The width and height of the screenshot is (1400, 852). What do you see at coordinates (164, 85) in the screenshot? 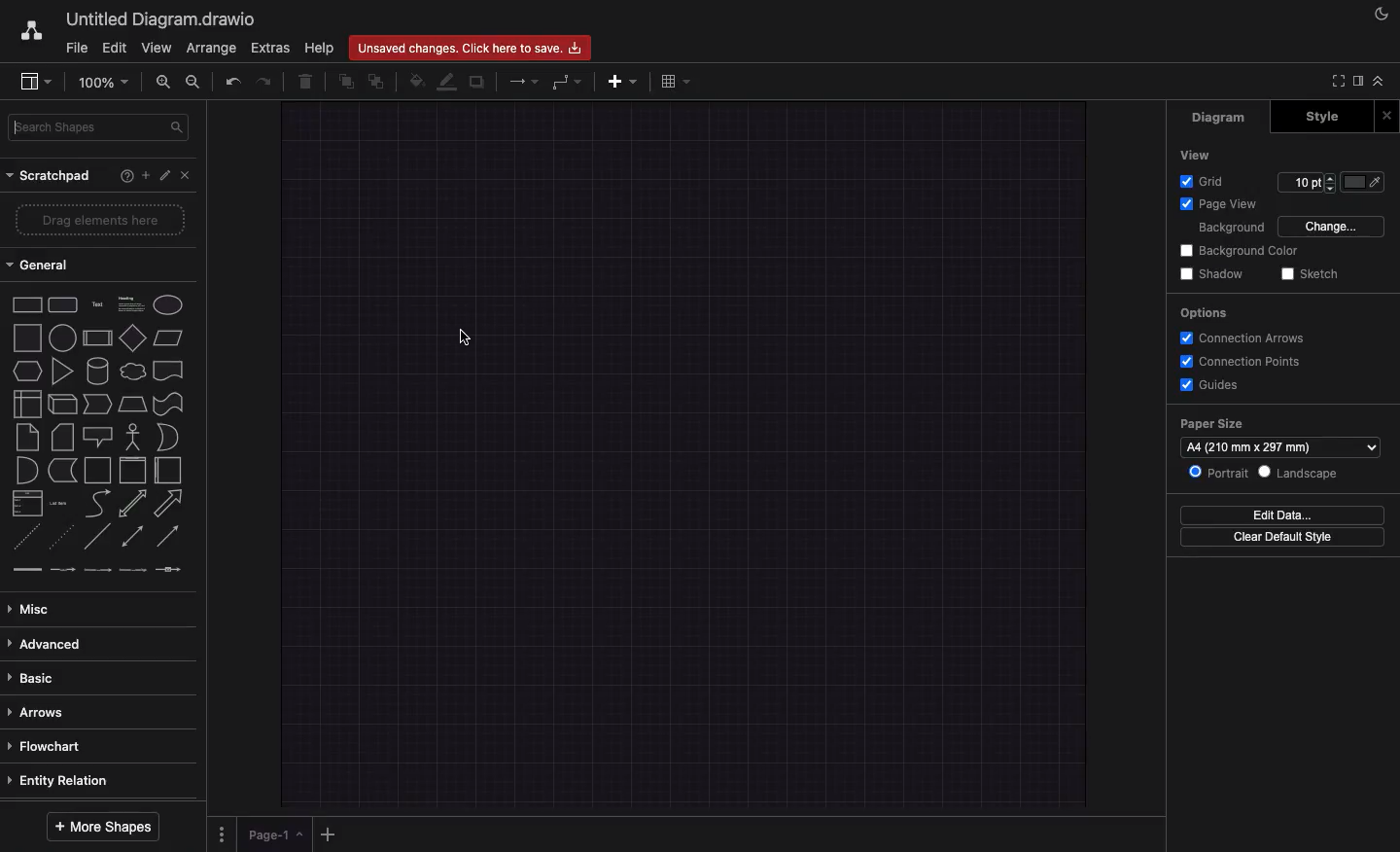
I see `Zoom in` at bounding box center [164, 85].